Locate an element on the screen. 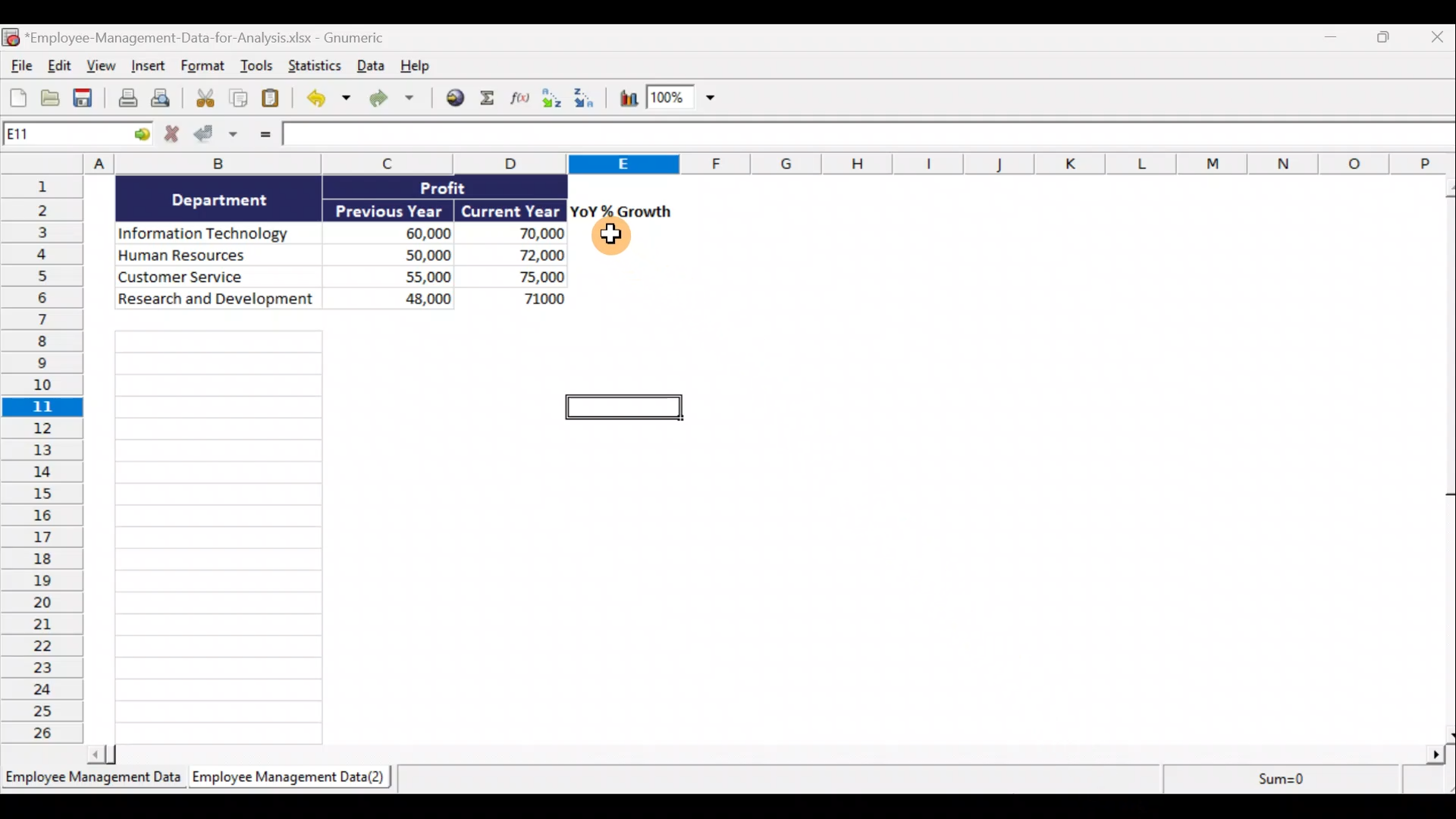  Create a new workbook is located at coordinates (18, 96).